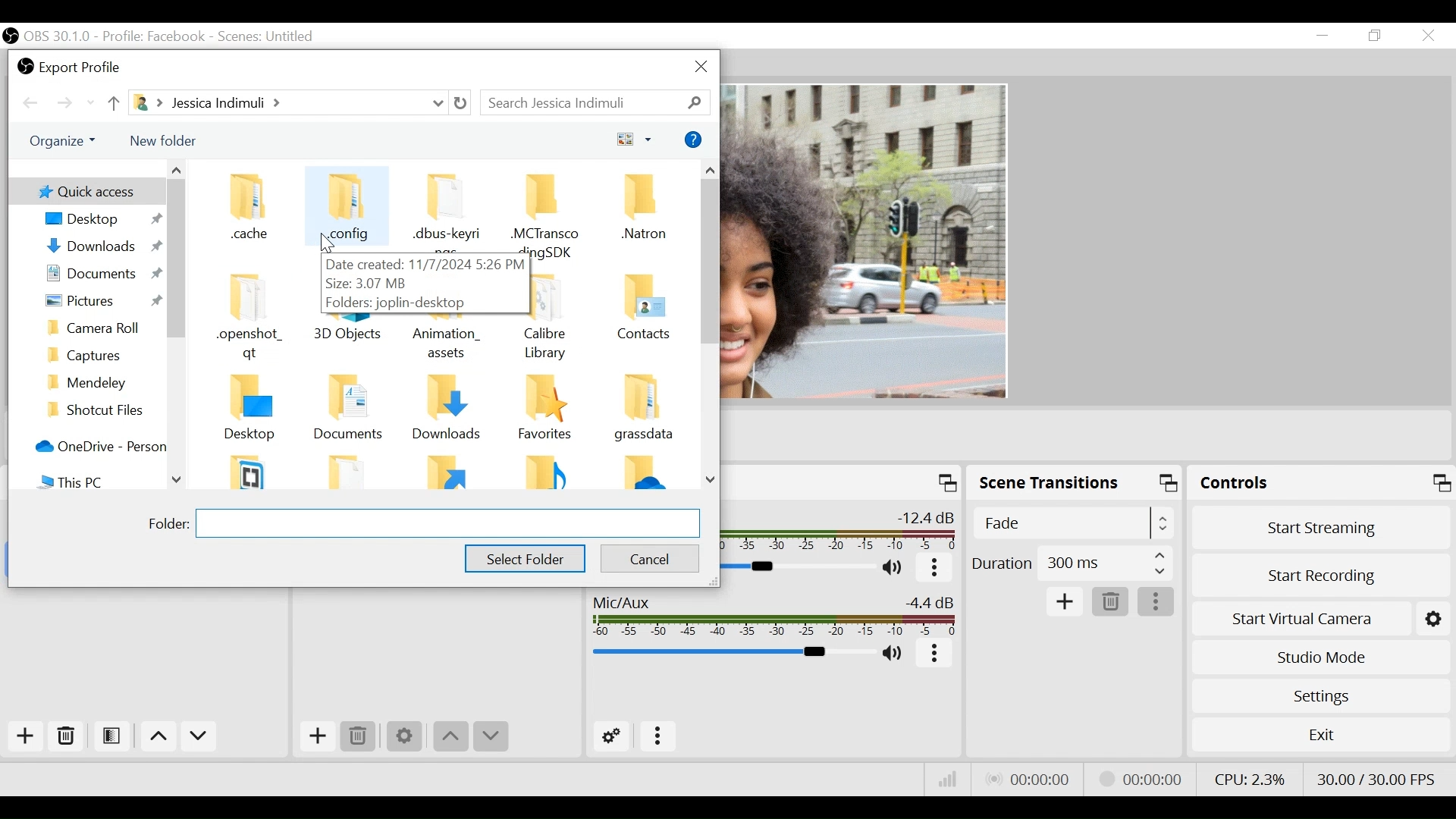  What do you see at coordinates (661, 738) in the screenshot?
I see `More options` at bounding box center [661, 738].